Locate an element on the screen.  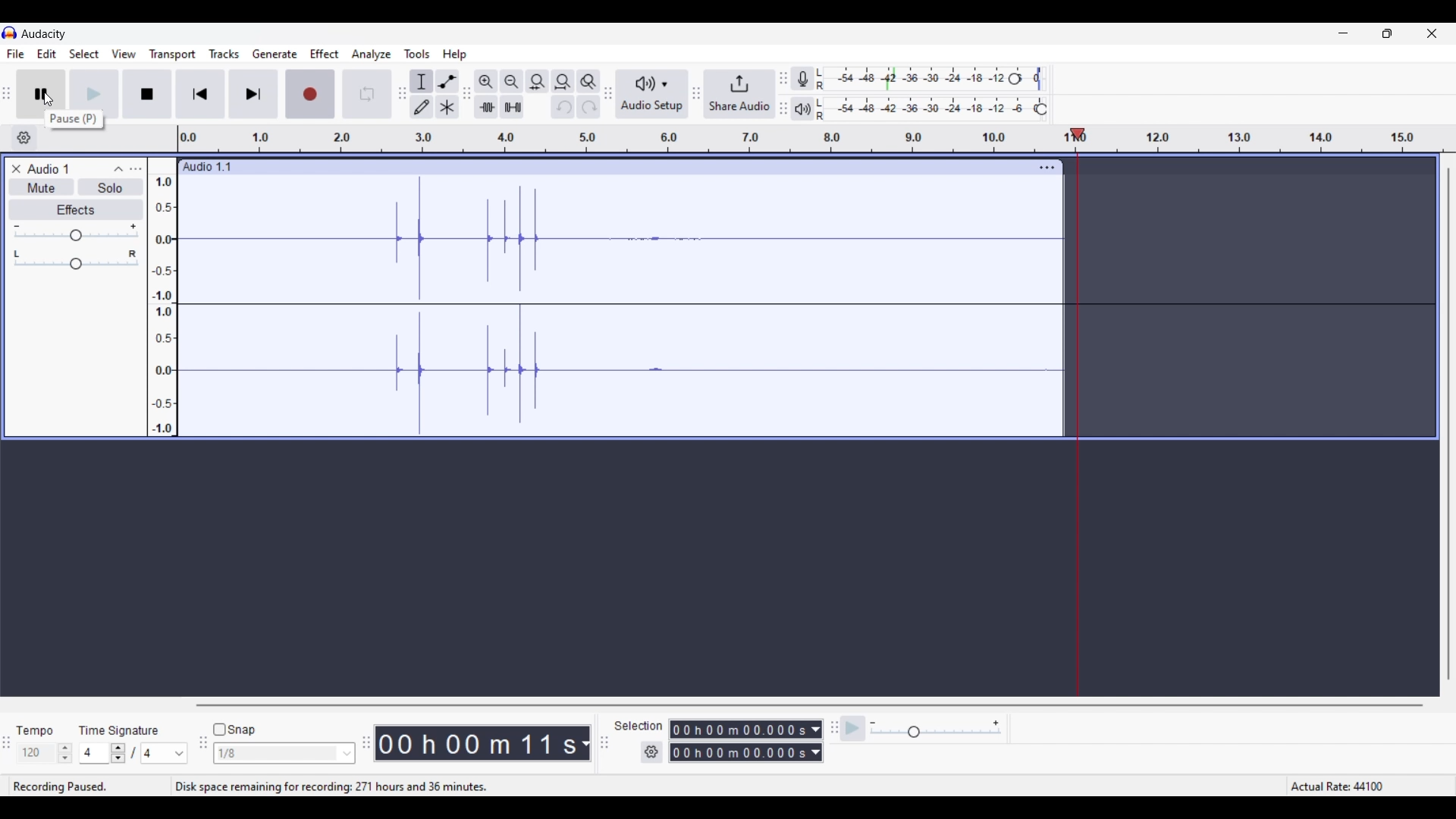
toolbar is located at coordinates (607, 96).